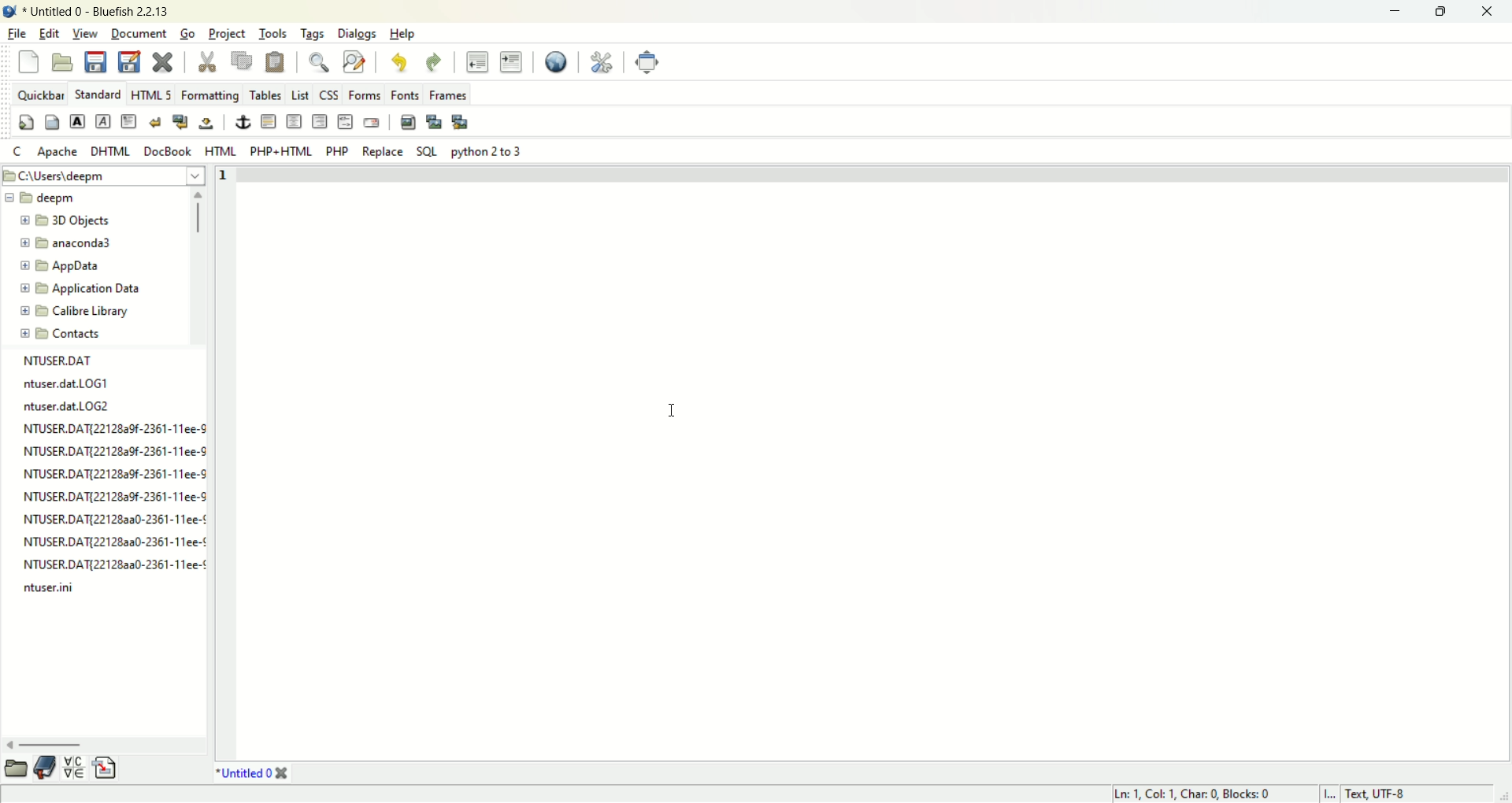  I want to click on open file, so click(63, 62).